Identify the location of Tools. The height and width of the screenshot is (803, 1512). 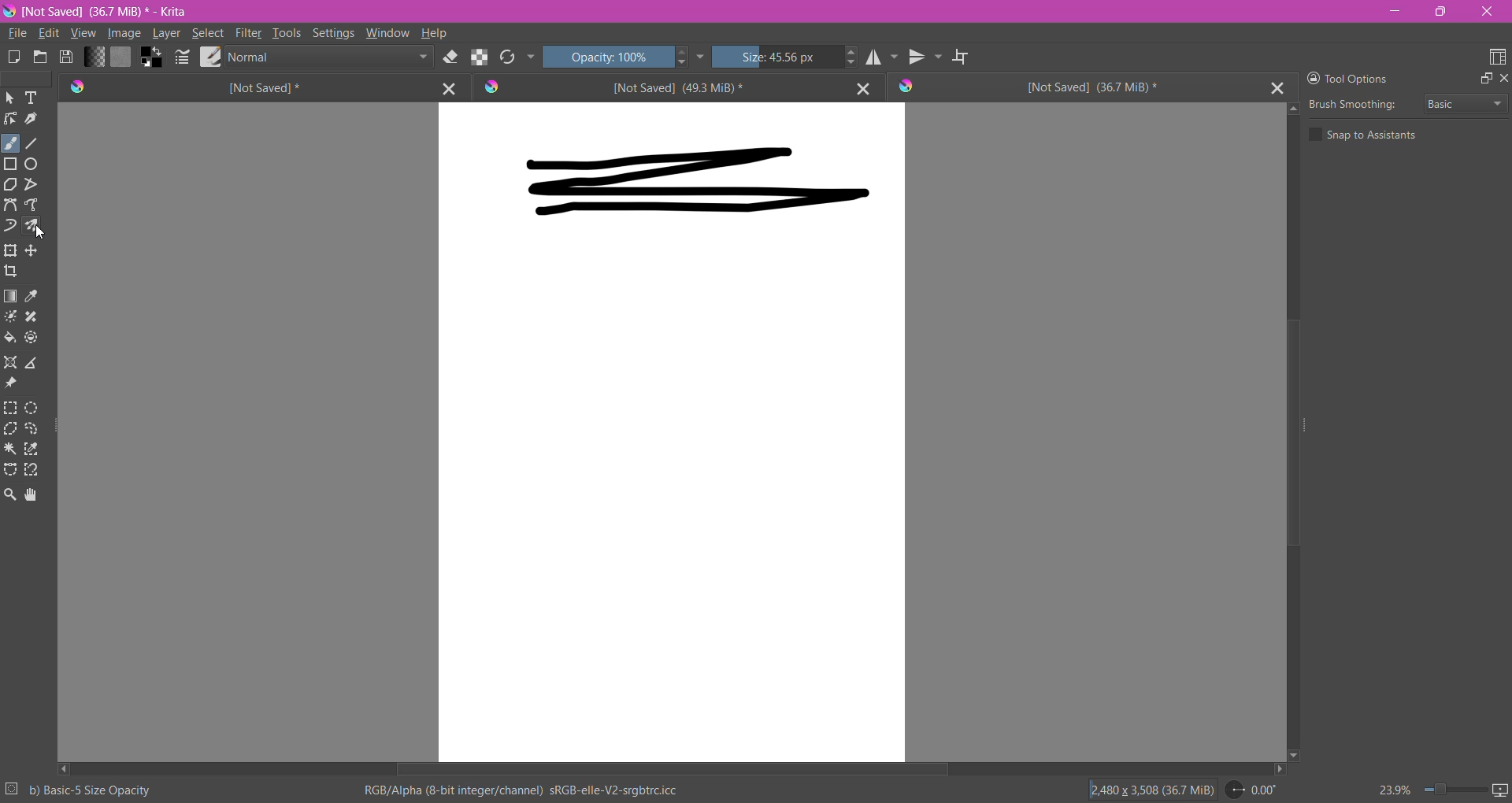
(287, 31).